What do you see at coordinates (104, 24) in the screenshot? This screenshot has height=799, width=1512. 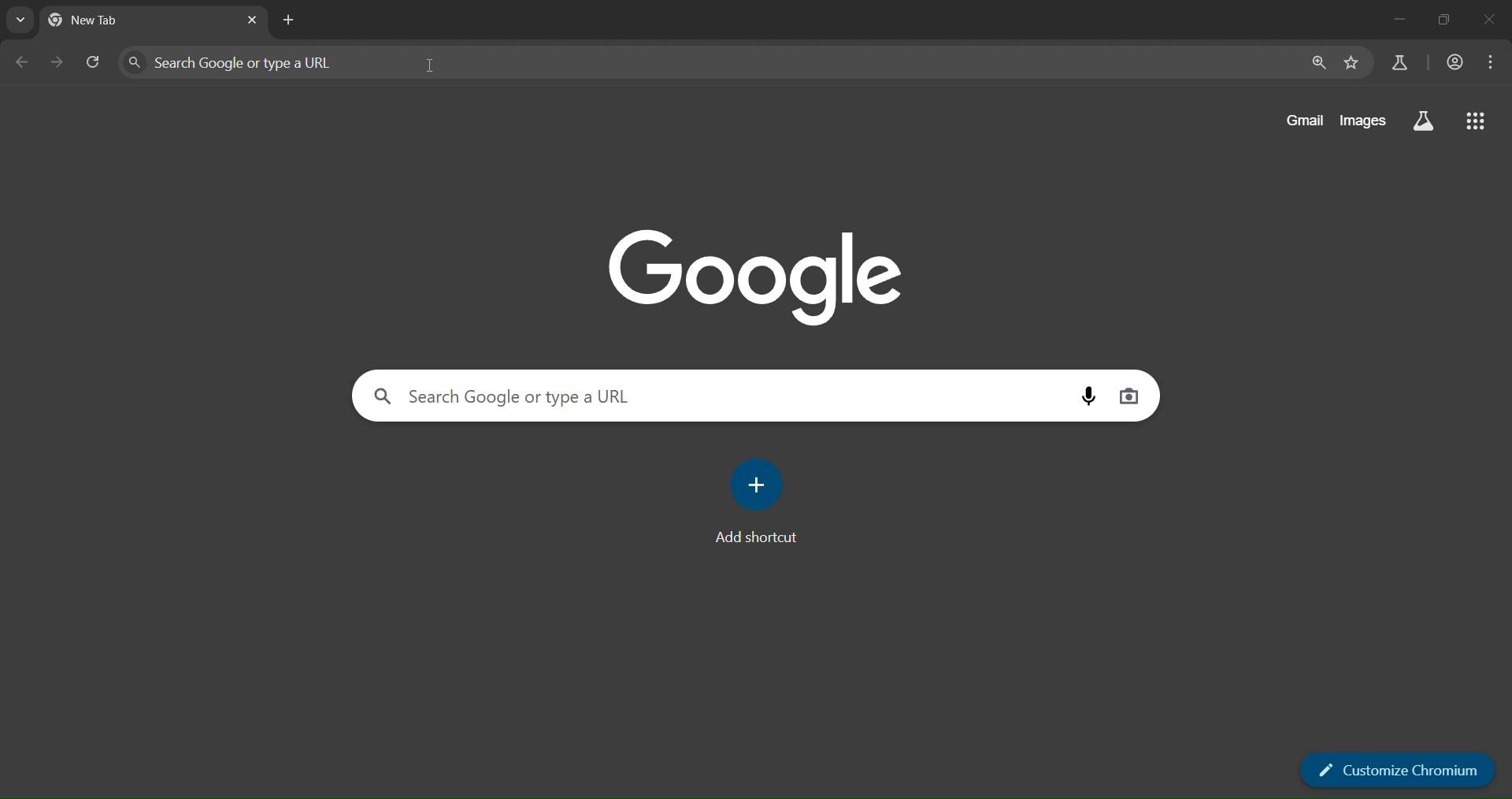 I see `New Tab` at bounding box center [104, 24].